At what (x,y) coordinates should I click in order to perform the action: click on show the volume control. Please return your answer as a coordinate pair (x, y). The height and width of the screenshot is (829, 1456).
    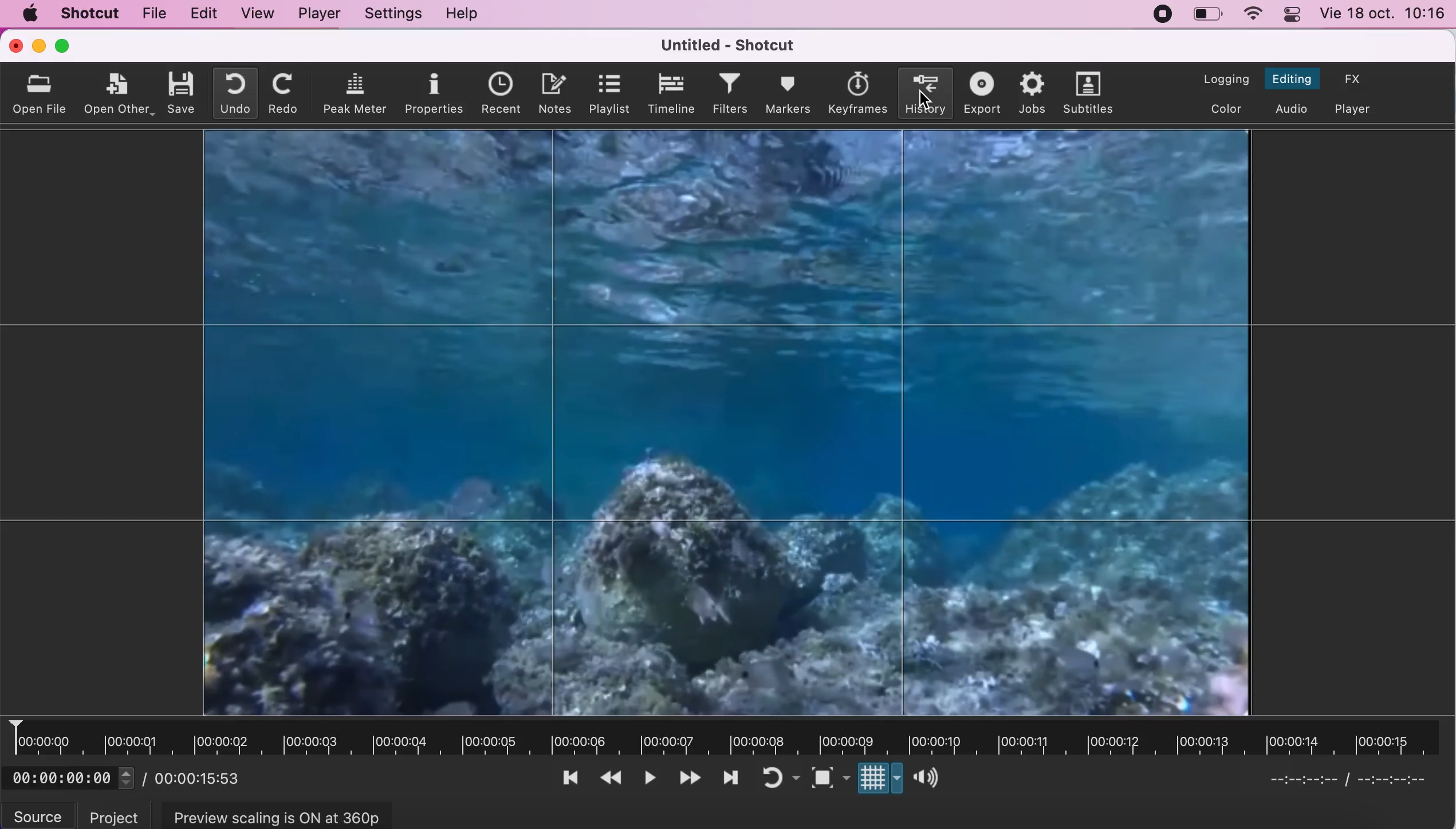
    Looking at the image, I should click on (928, 779).